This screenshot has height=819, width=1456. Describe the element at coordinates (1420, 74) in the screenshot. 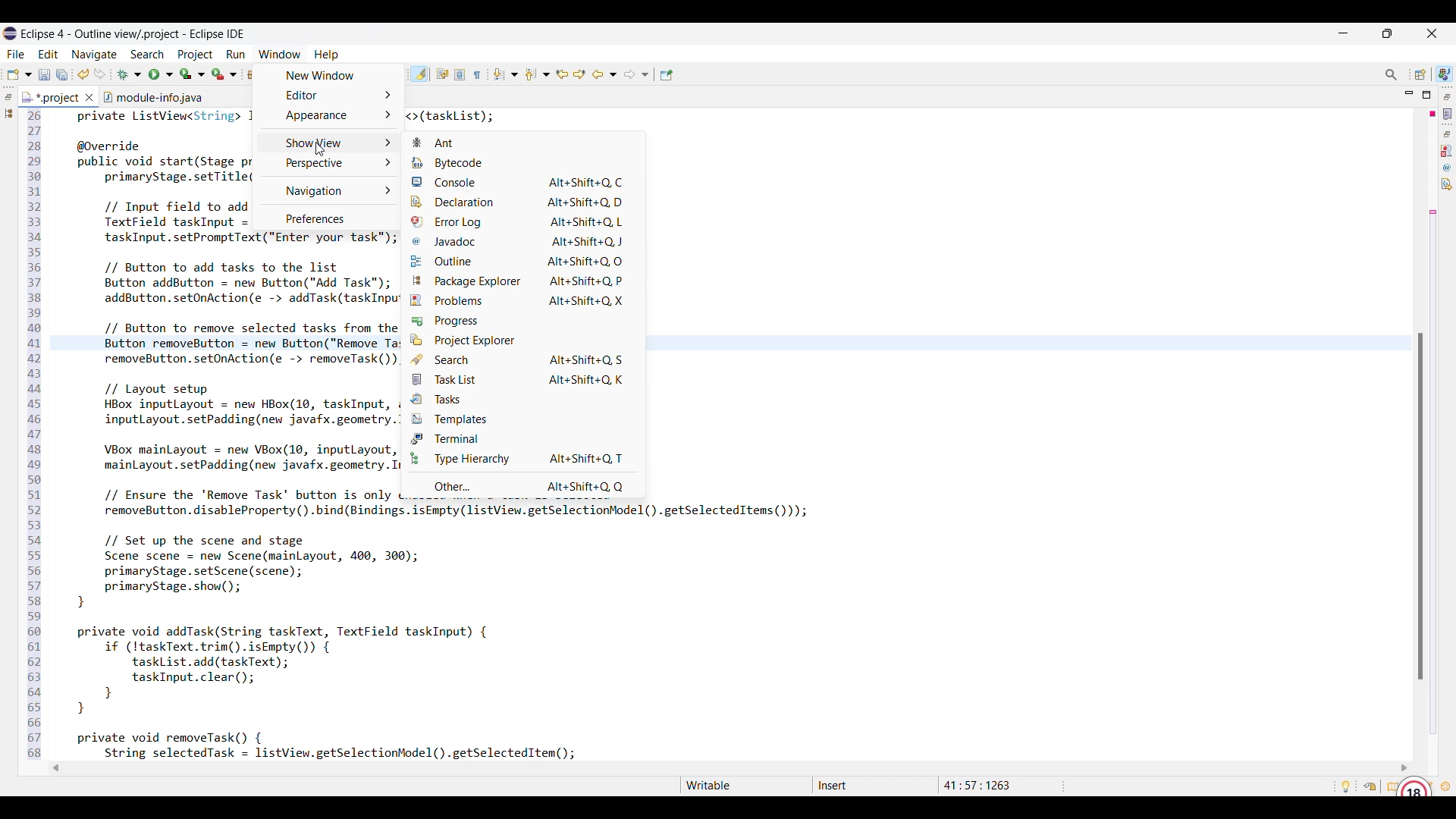

I see `Open perspective` at that location.